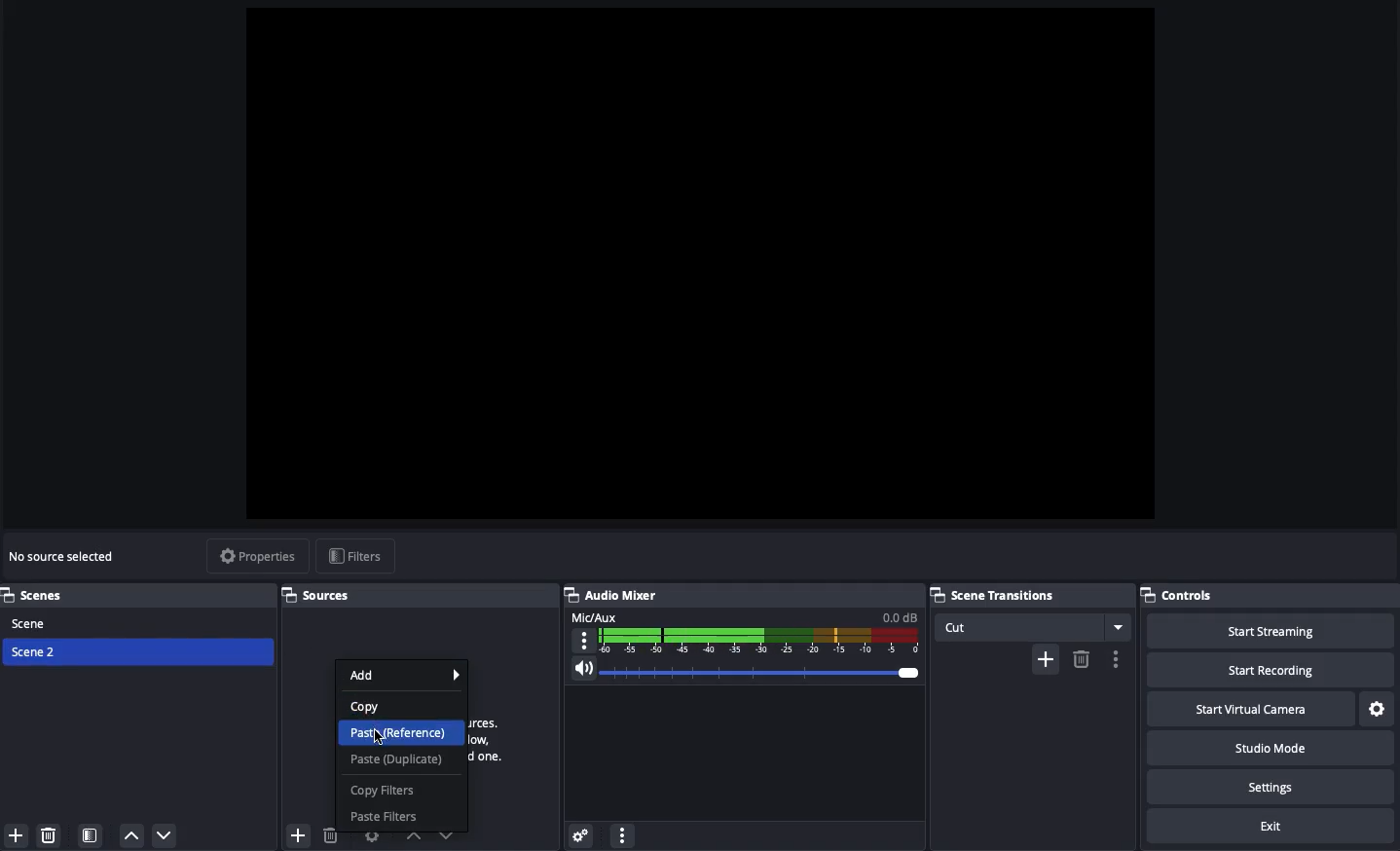  What do you see at coordinates (318, 593) in the screenshot?
I see `Sources` at bounding box center [318, 593].